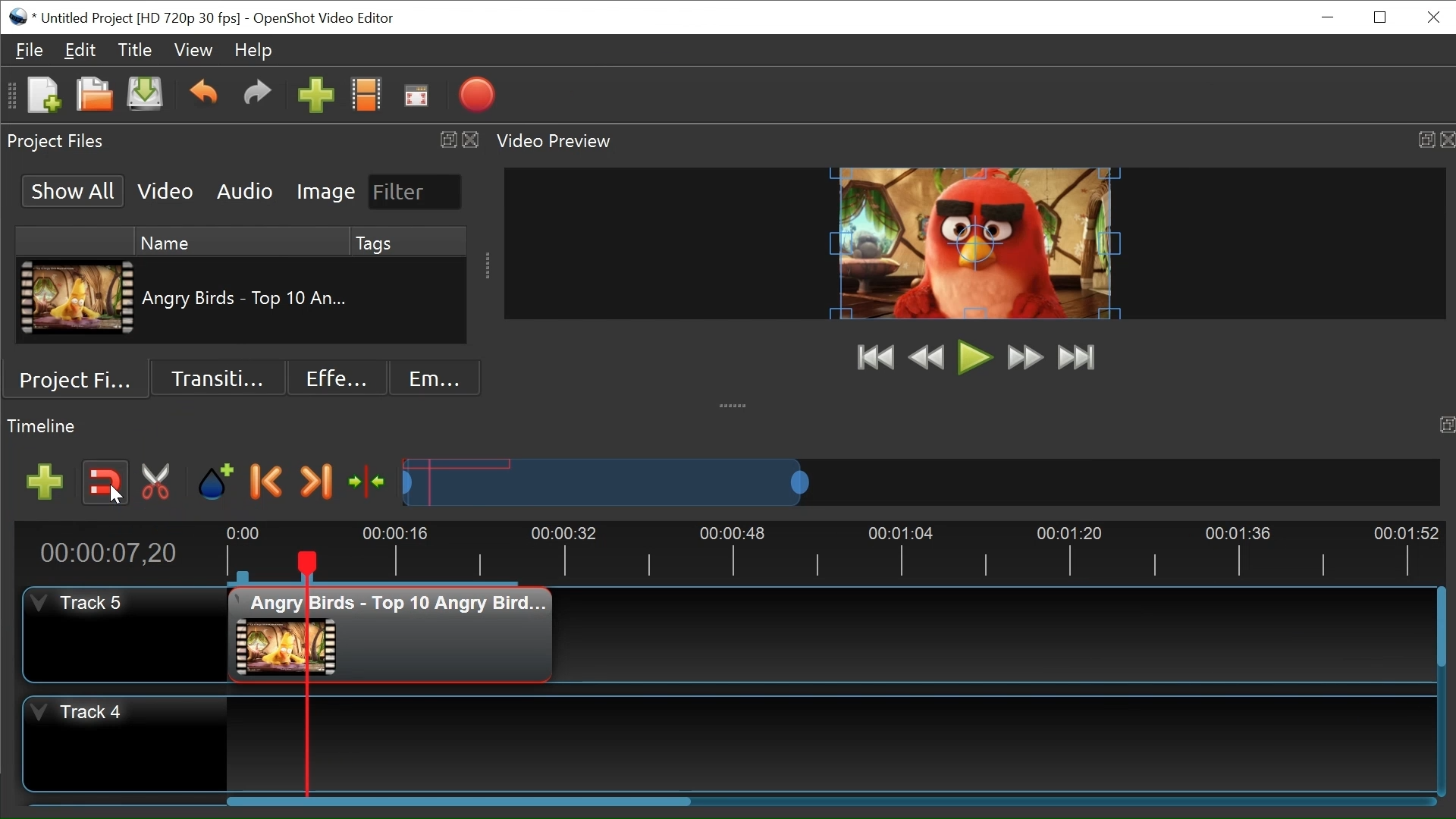 The image size is (1456, 819). I want to click on Current Position, so click(106, 554).